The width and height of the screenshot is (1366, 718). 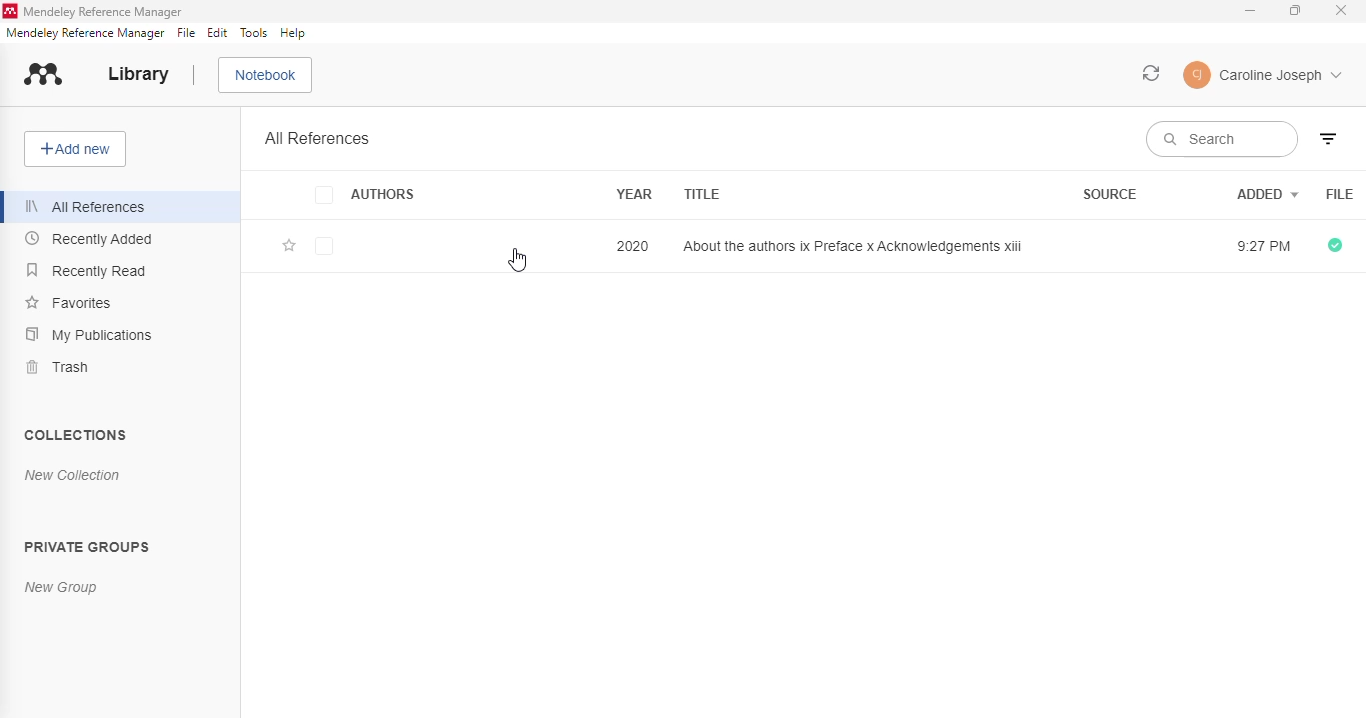 What do you see at coordinates (44, 75) in the screenshot?
I see `logo` at bounding box center [44, 75].